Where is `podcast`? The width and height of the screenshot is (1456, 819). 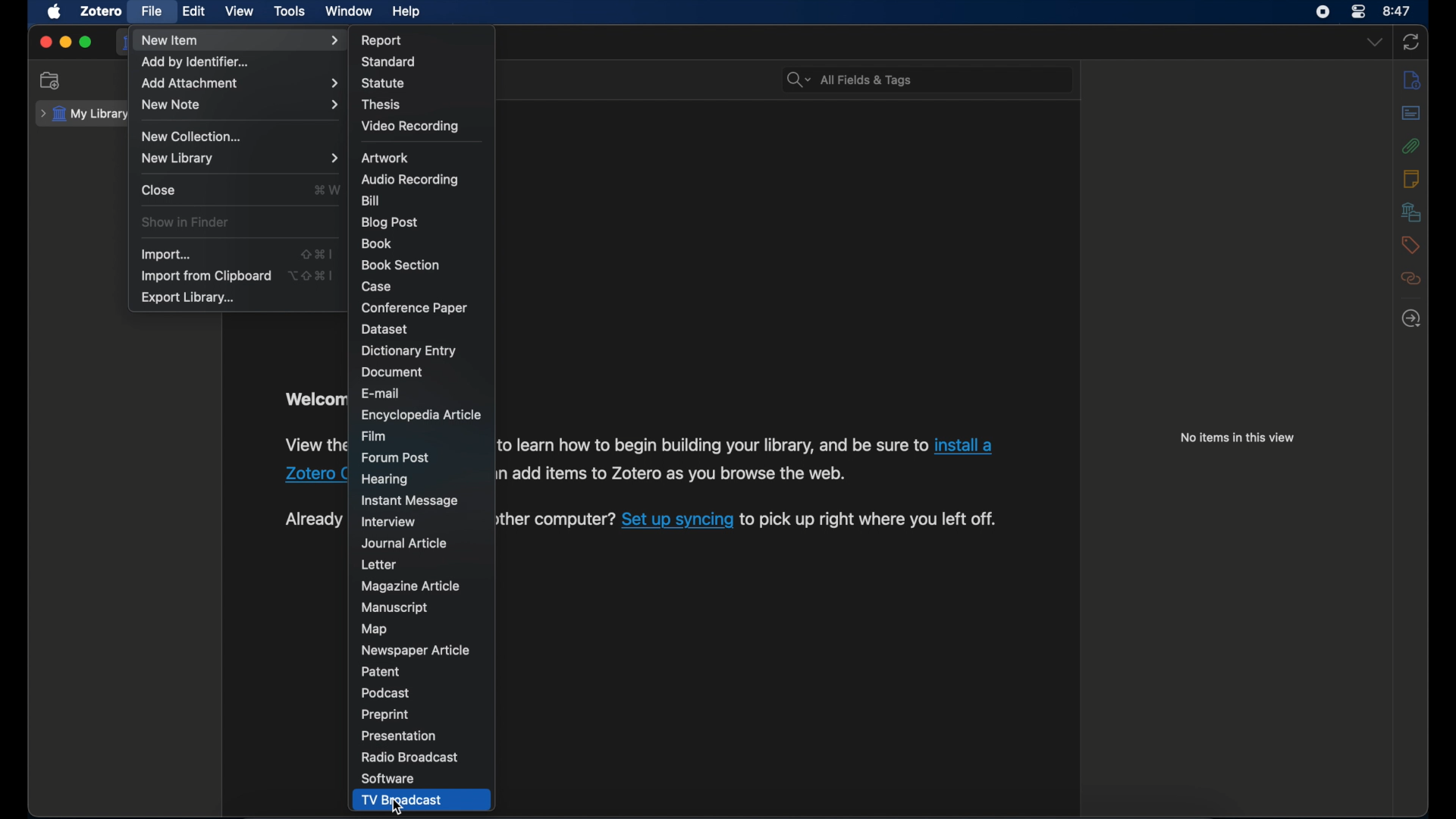 podcast is located at coordinates (385, 693).